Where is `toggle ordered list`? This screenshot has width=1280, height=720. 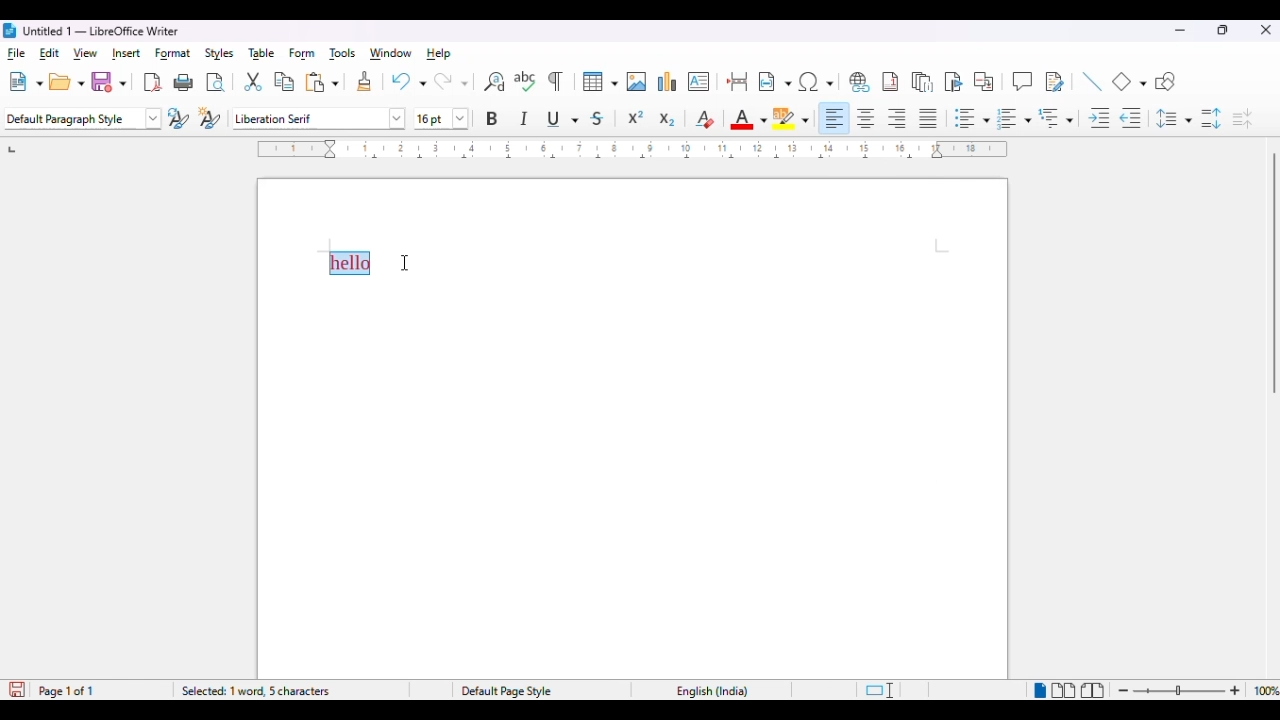
toggle ordered list is located at coordinates (1014, 118).